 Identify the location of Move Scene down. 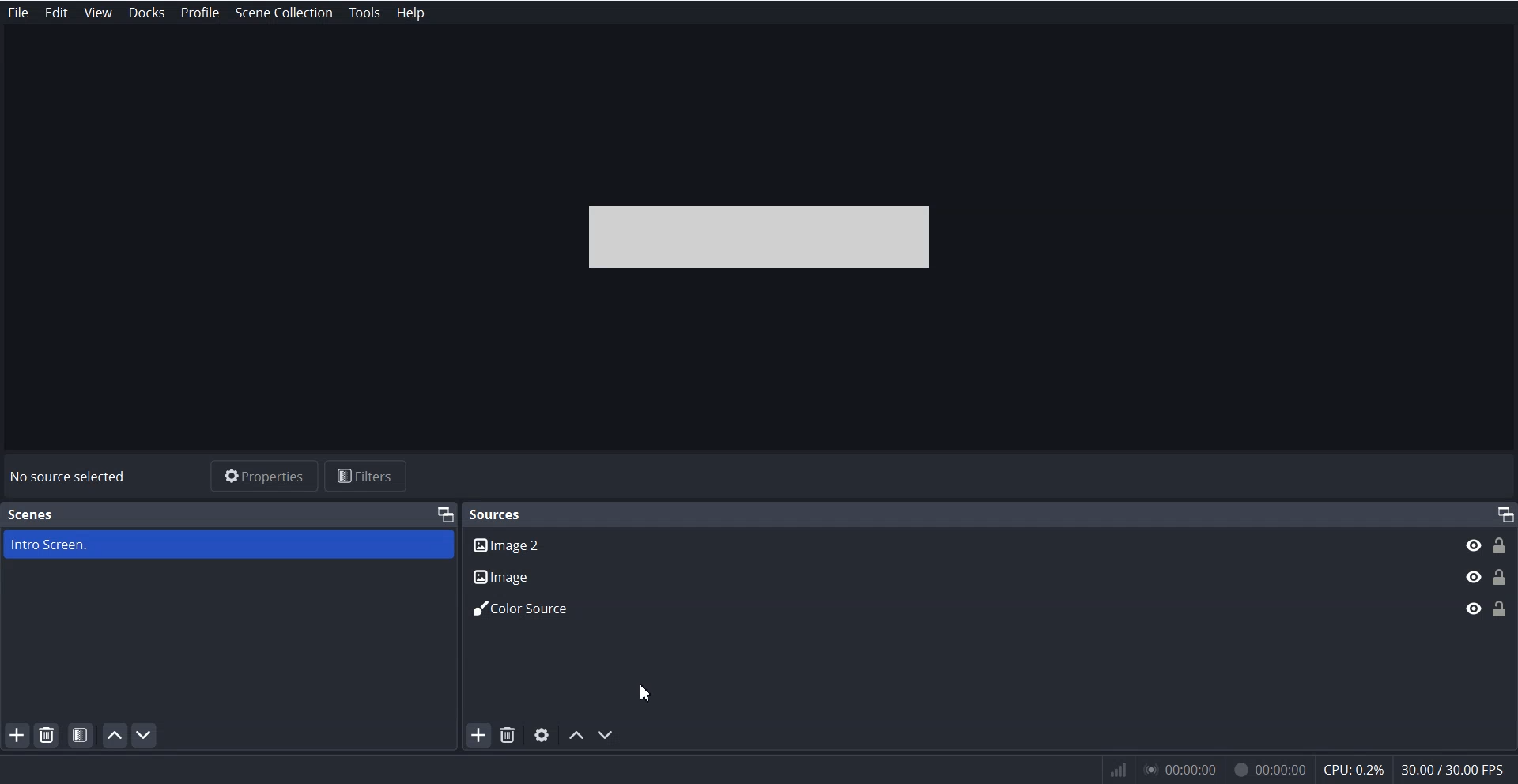
(147, 735).